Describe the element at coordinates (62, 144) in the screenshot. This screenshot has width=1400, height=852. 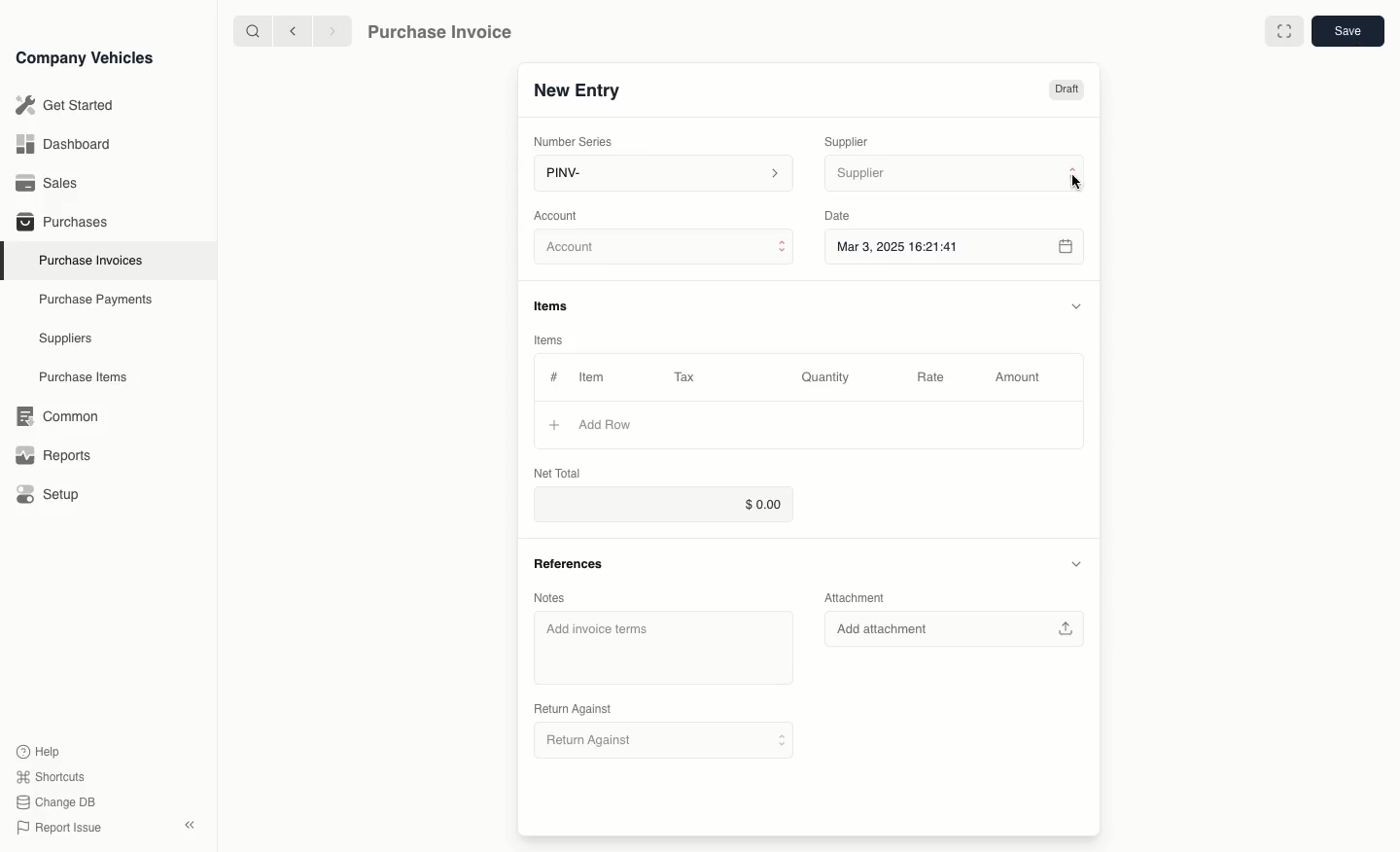
I see `Dashboard` at that location.